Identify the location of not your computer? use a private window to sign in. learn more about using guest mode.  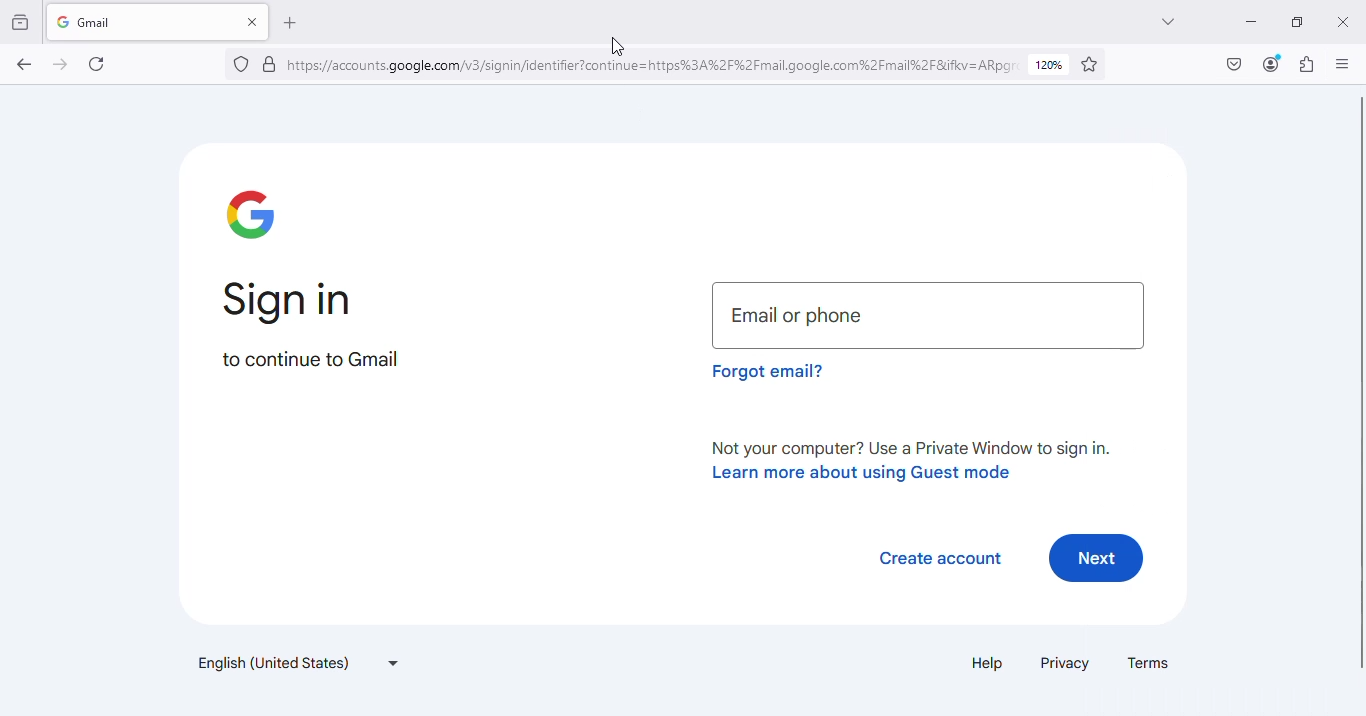
(916, 461).